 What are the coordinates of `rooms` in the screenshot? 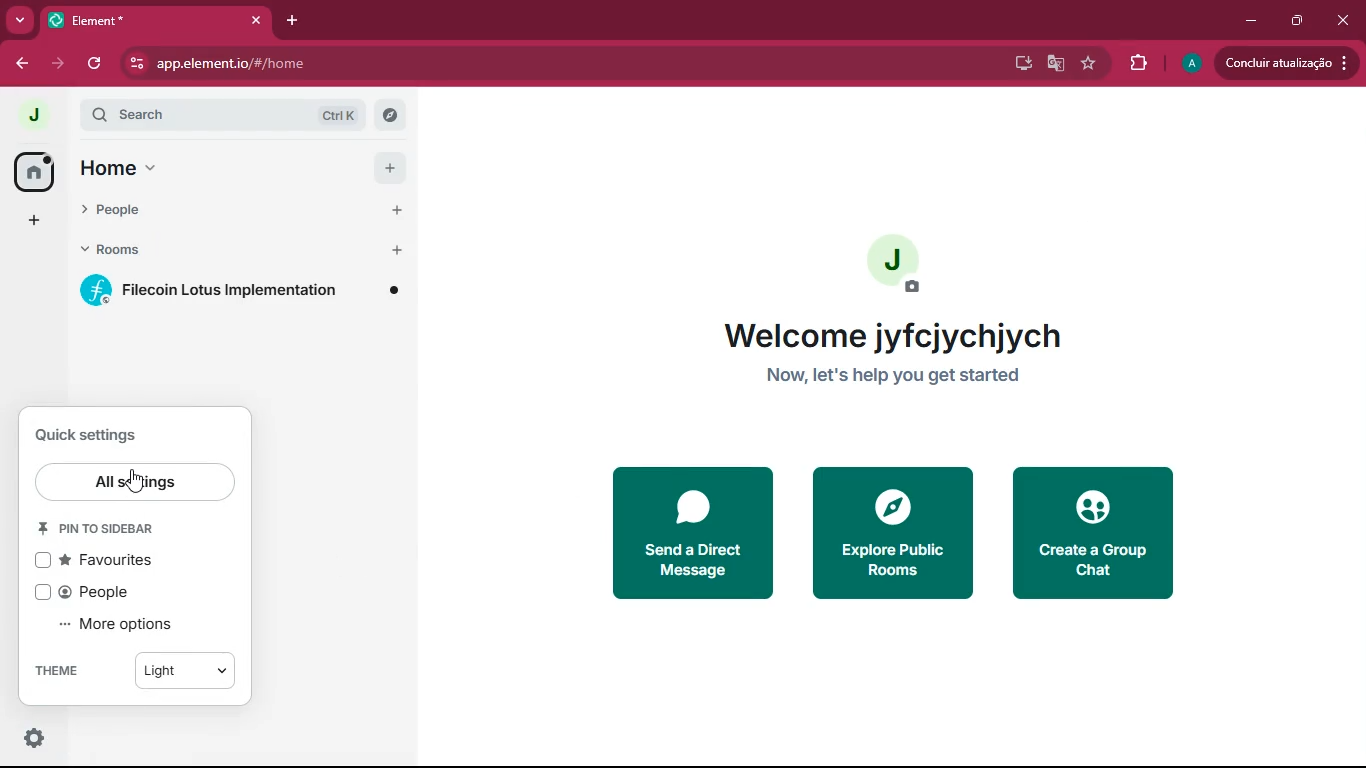 It's located at (244, 251).